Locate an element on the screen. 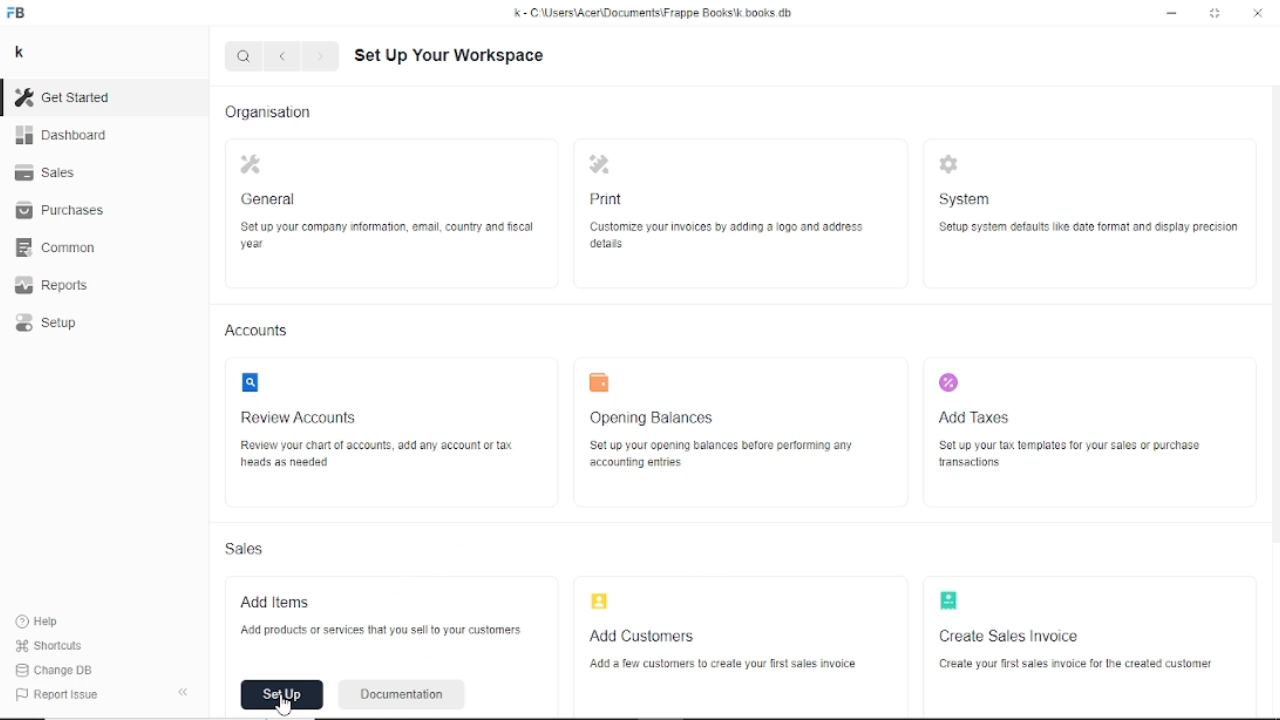 This screenshot has height=720, width=1280. Toggle between form and full width is located at coordinates (1215, 12).